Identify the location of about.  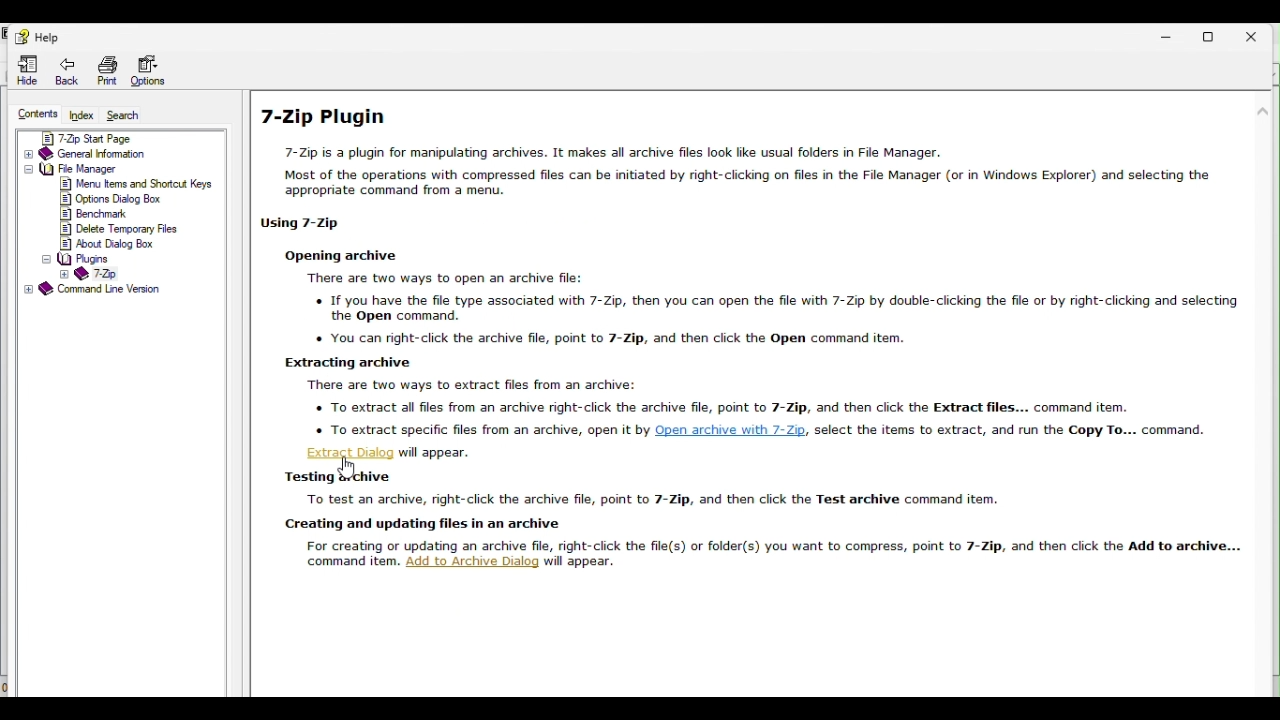
(110, 243).